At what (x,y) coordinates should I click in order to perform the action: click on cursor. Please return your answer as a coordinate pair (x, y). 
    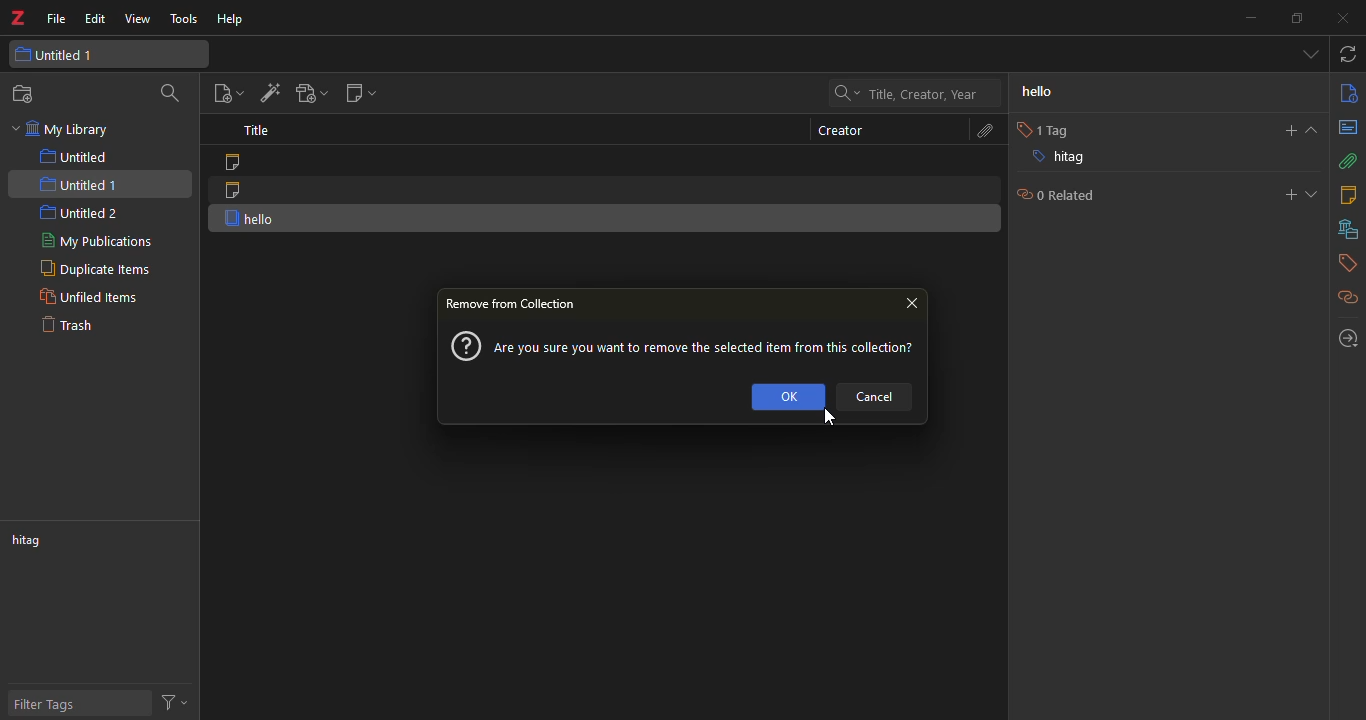
    Looking at the image, I should click on (828, 425).